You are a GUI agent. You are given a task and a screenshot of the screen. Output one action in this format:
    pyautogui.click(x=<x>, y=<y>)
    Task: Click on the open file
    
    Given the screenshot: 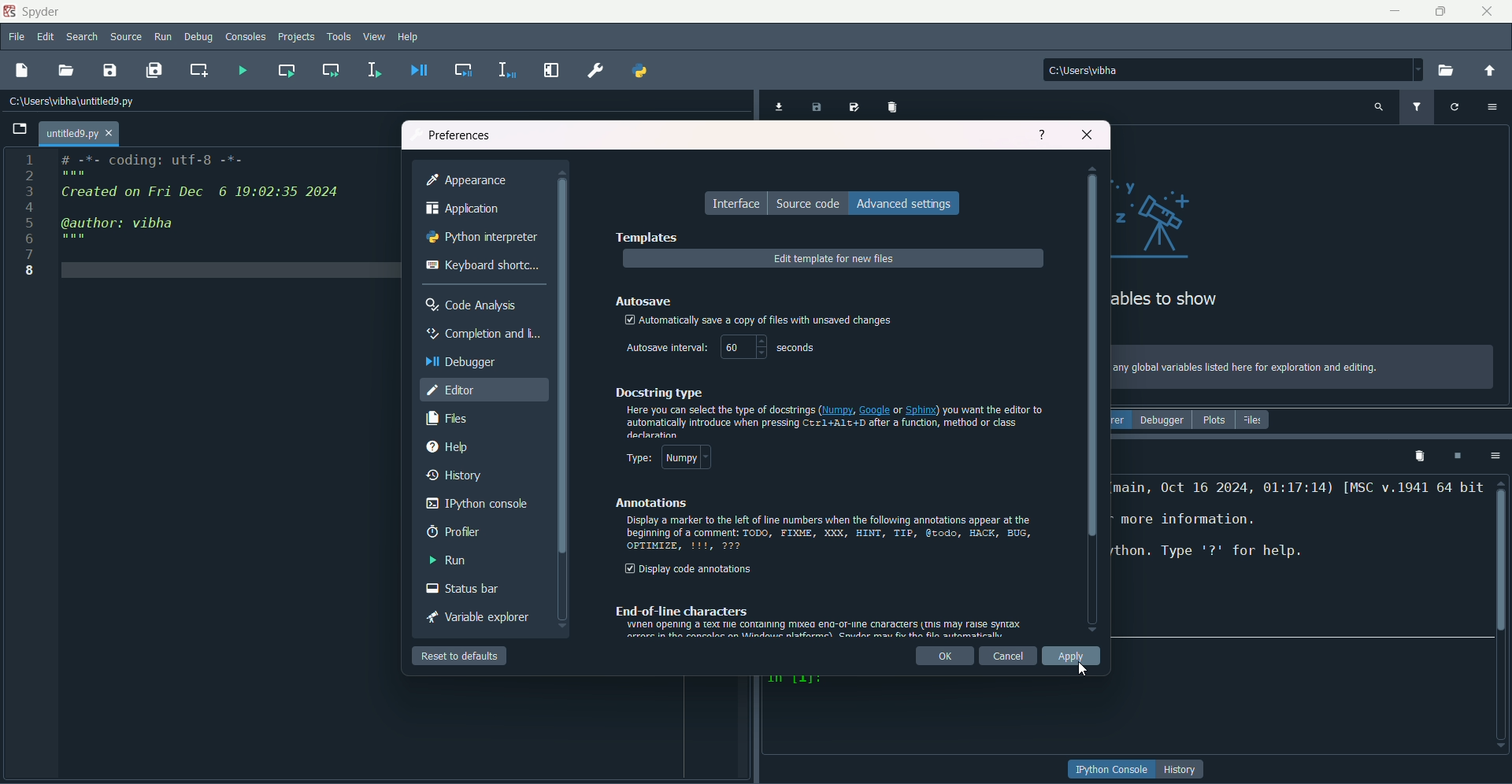 What is the action you would take?
    pyautogui.click(x=67, y=71)
    